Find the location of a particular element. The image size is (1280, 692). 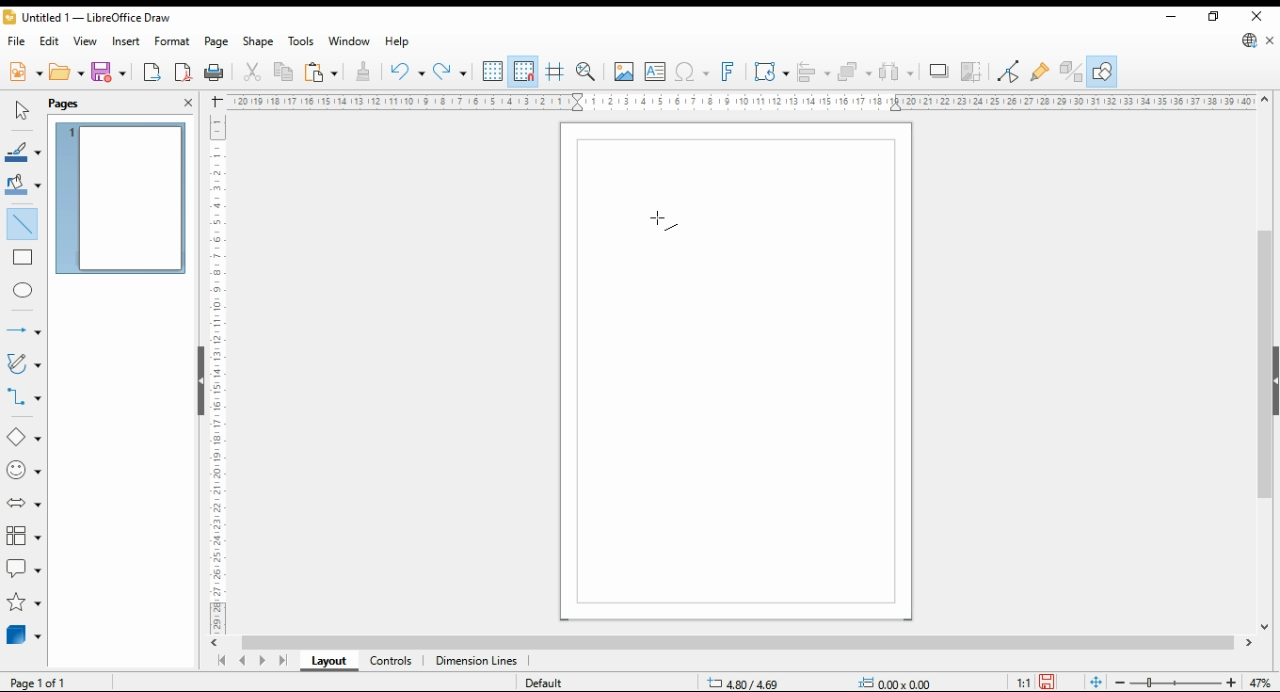

scroll bar is located at coordinates (198, 379).